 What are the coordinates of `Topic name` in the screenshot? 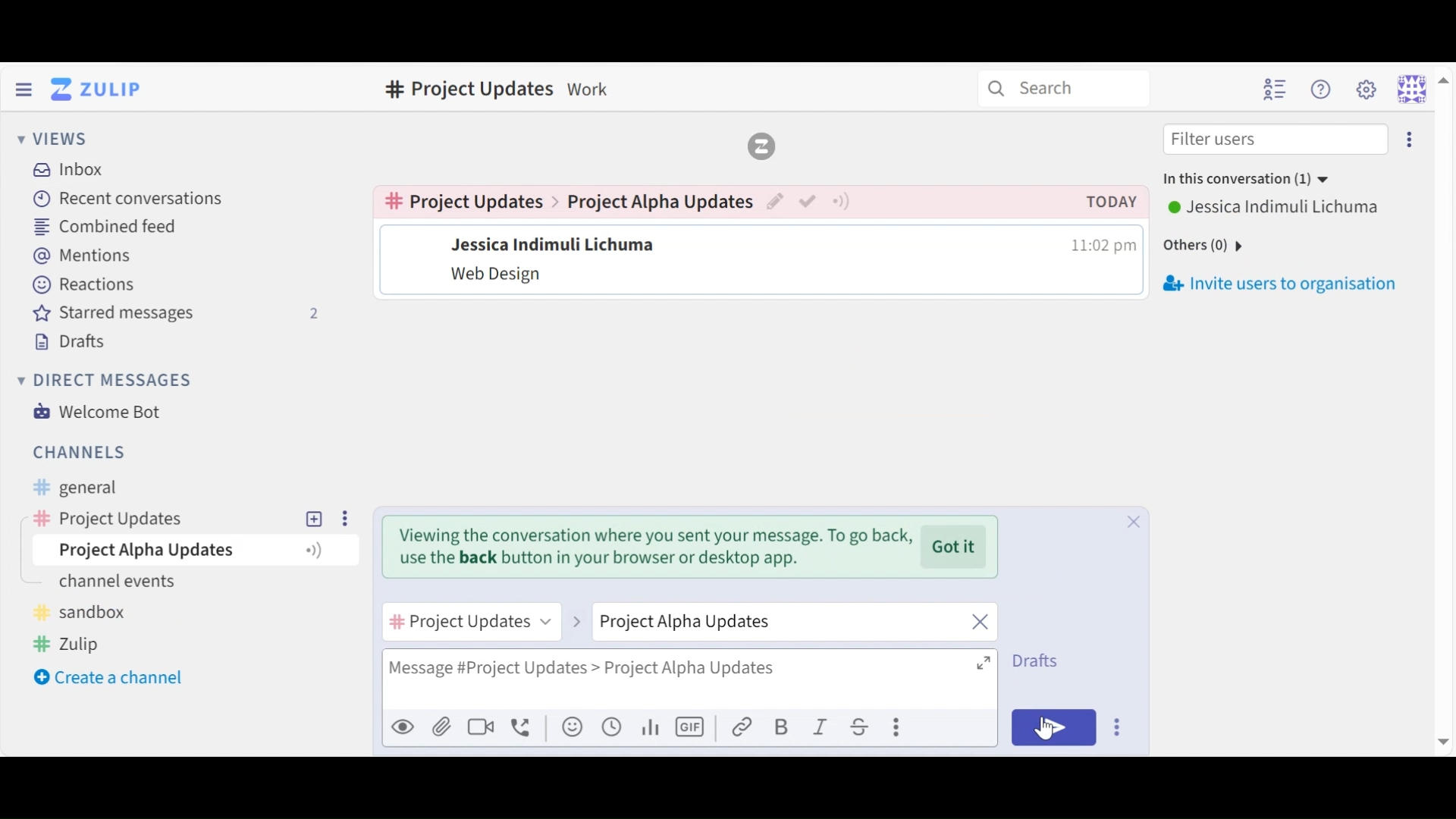 It's located at (766, 623).